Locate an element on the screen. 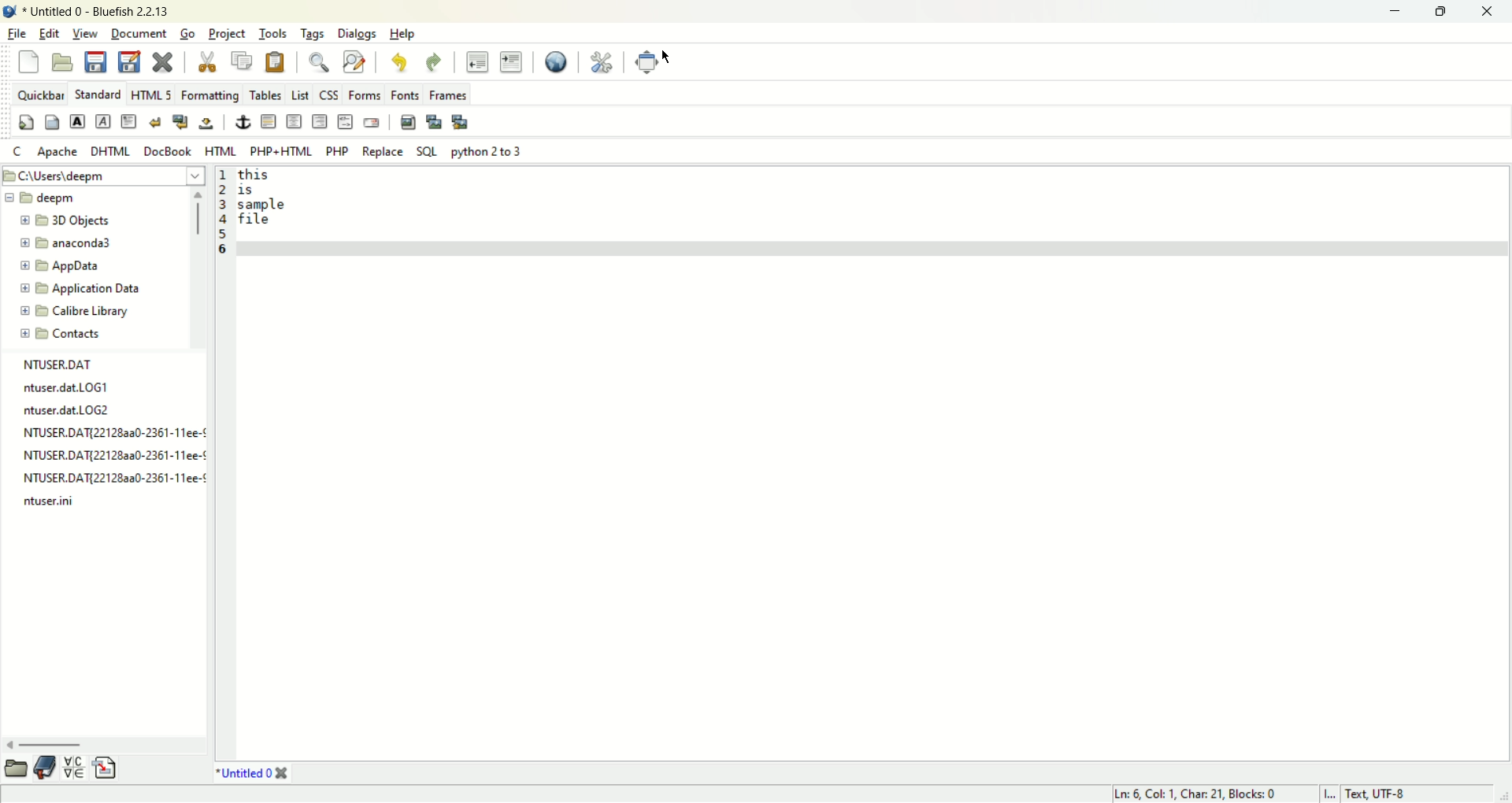 The image size is (1512, 803). application is located at coordinates (84, 289).